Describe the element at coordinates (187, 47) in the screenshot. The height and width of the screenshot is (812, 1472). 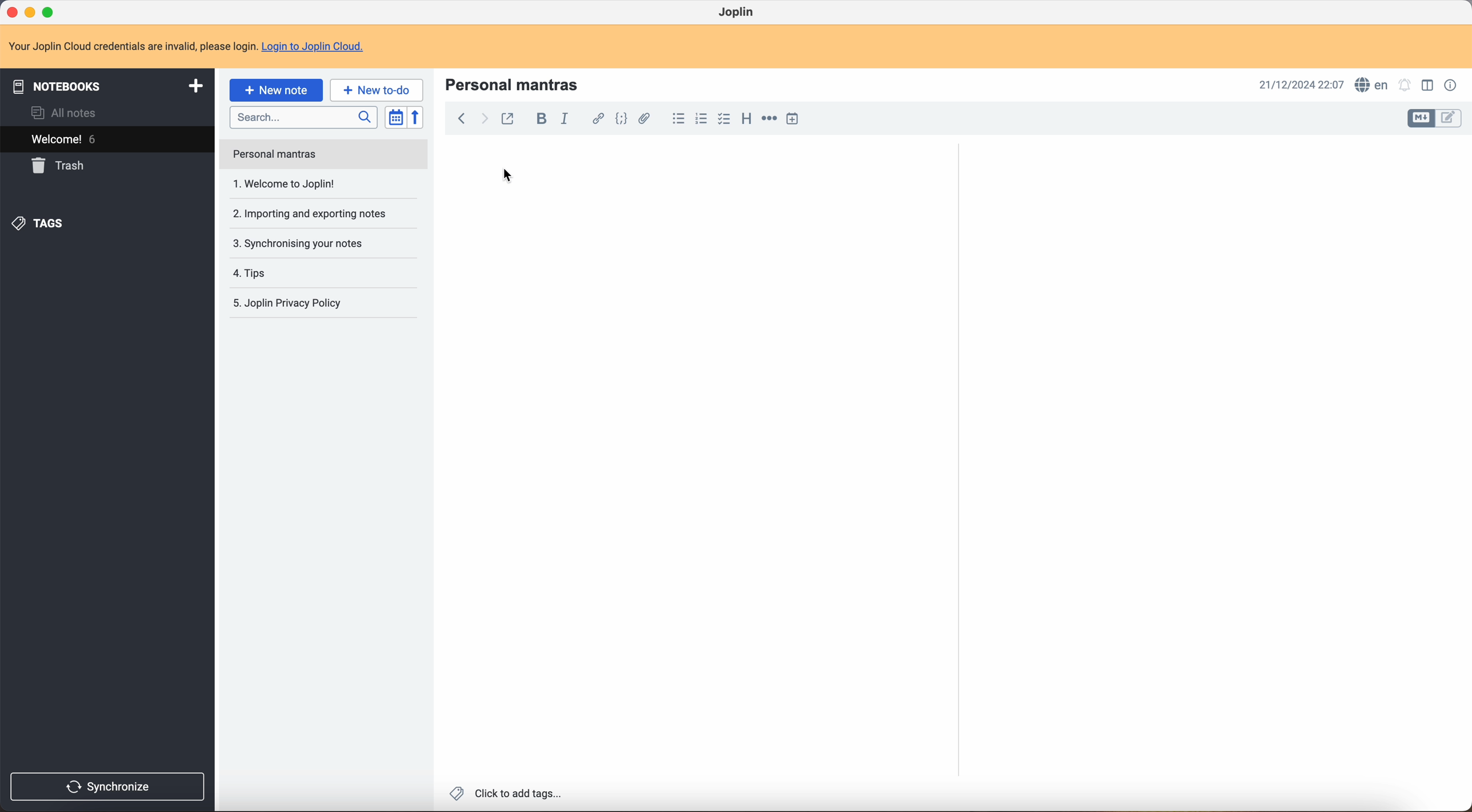
I see `note` at that location.